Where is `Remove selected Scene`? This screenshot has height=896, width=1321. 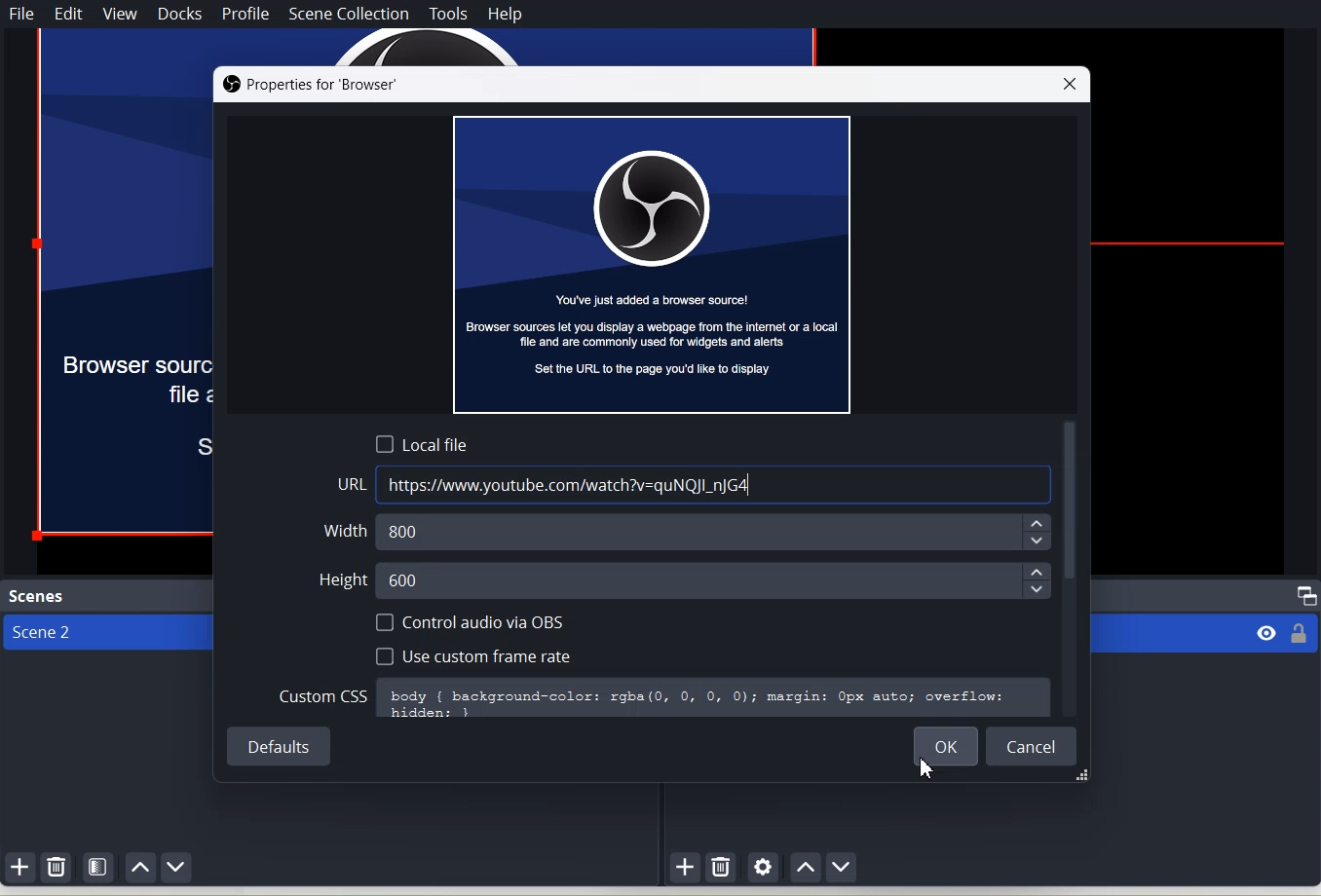 Remove selected Scene is located at coordinates (57, 868).